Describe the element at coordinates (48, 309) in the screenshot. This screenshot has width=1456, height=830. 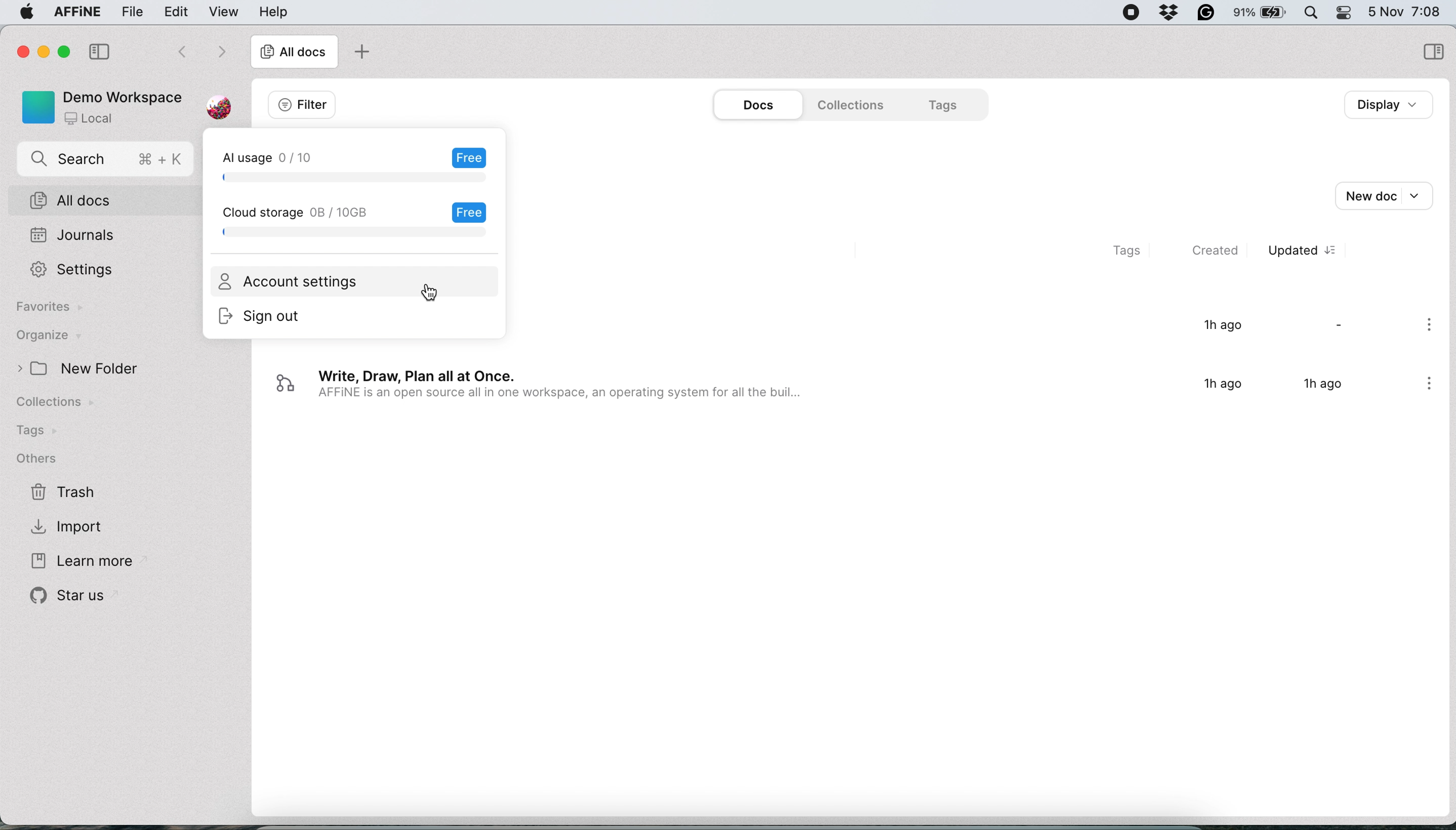
I see `favorites` at that location.